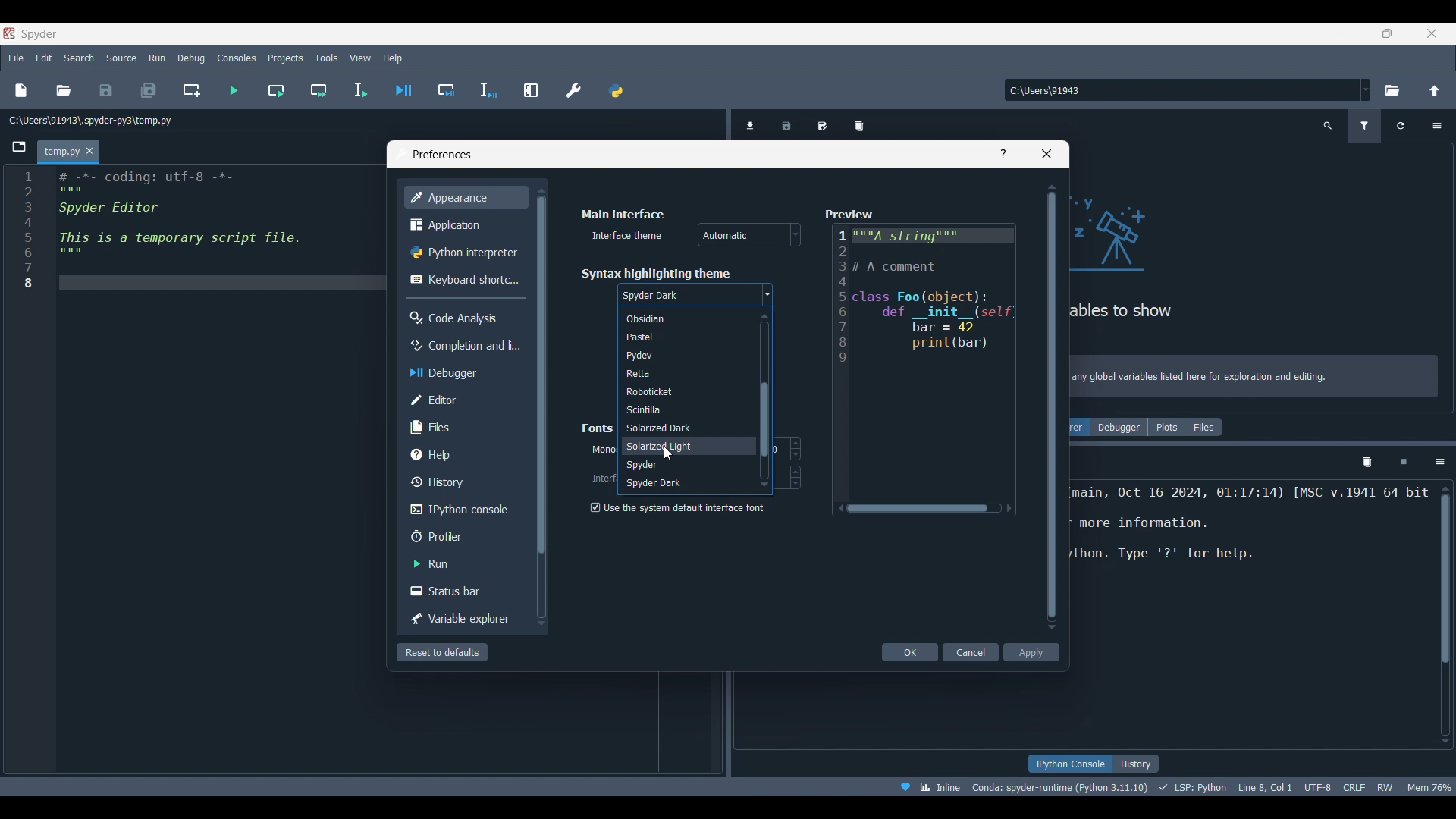  Describe the element at coordinates (1436, 126) in the screenshot. I see `Options` at that location.